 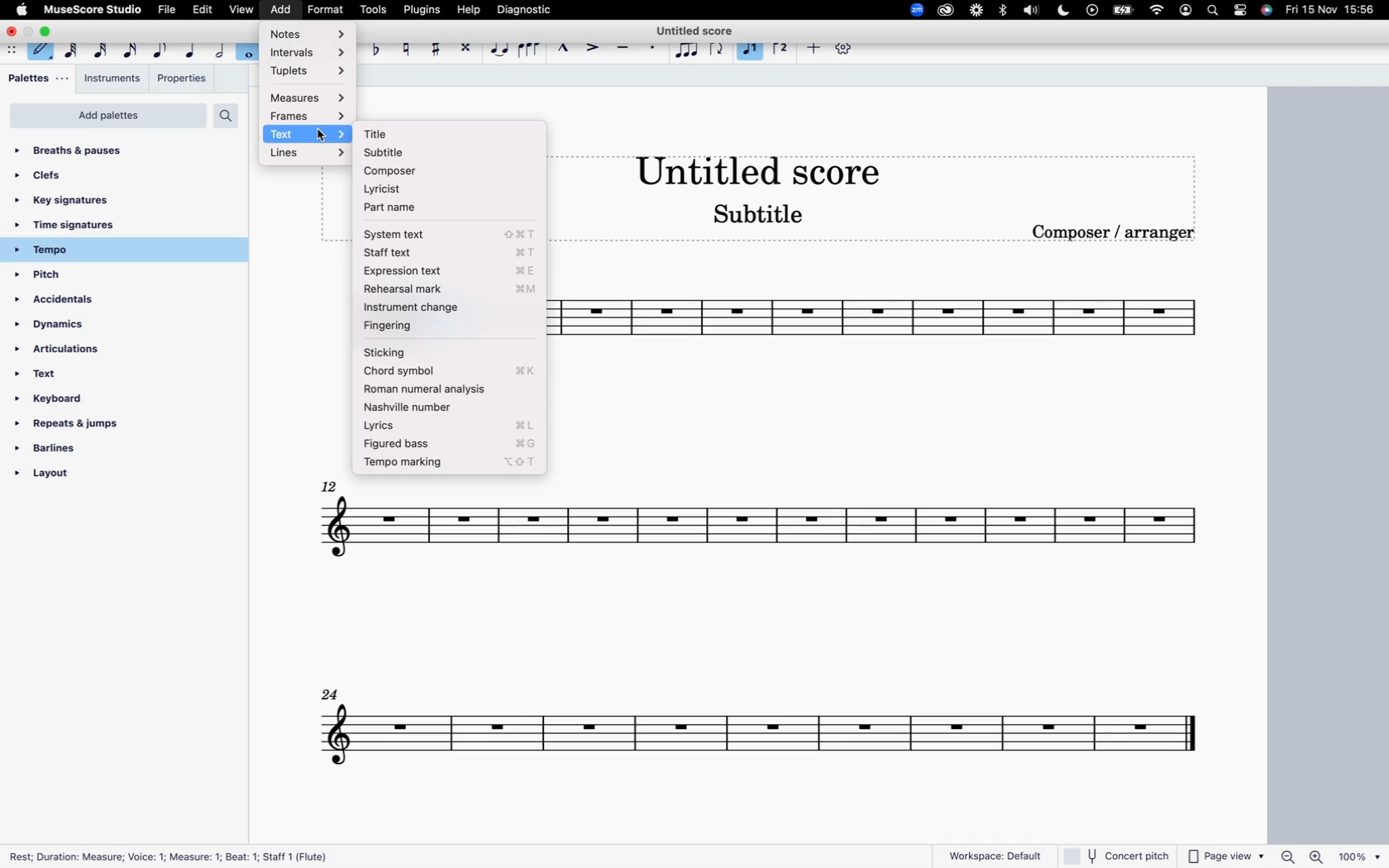 What do you see at coordinates (422, 10) in the screenshot?
I see `plugins` at bounding box center [422, 10].